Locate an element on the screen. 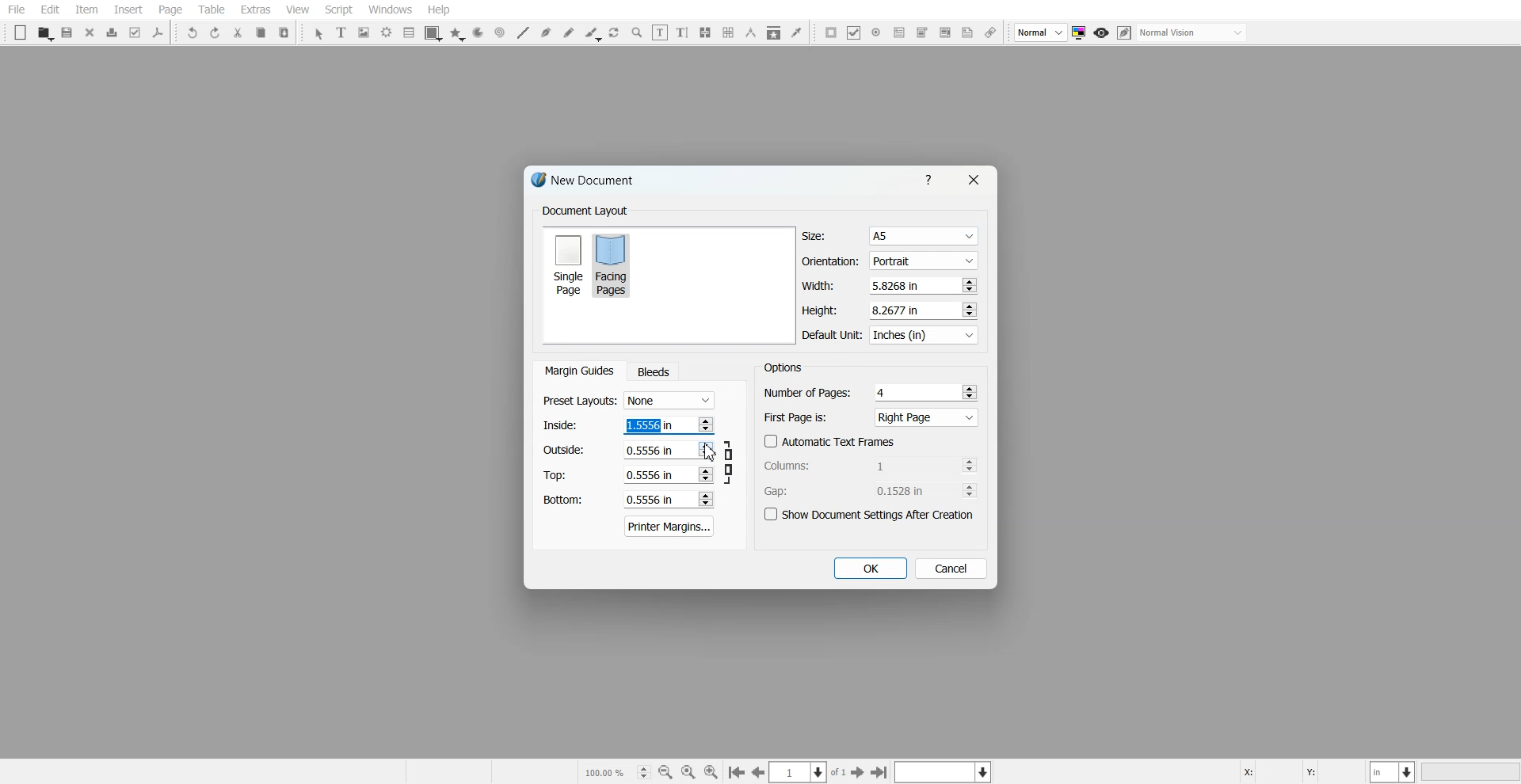 This screenshot has height=784, width=1521. Unlink Text Frame is located at coordinates (729, 32).